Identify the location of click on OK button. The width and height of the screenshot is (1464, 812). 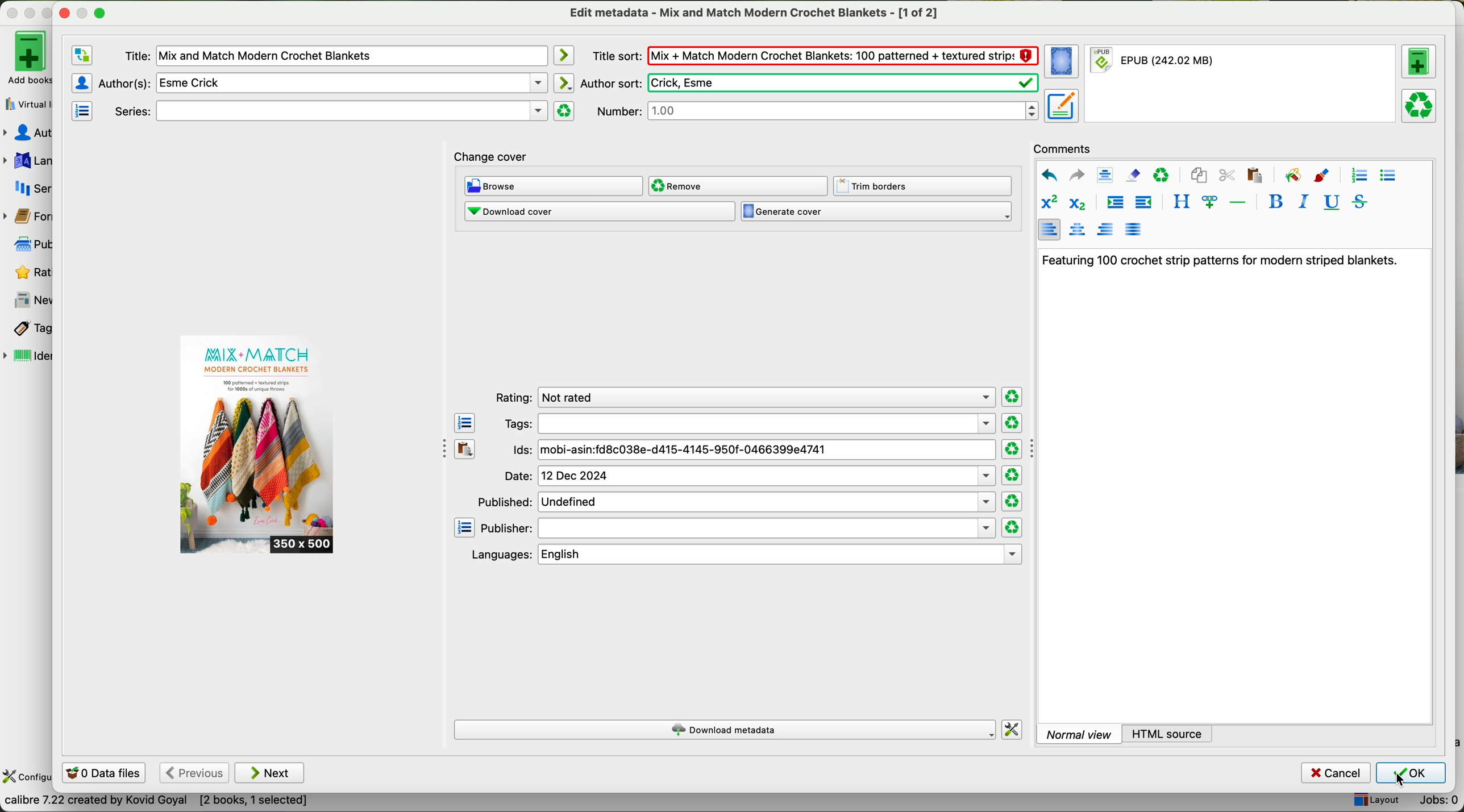
(1411, 773).